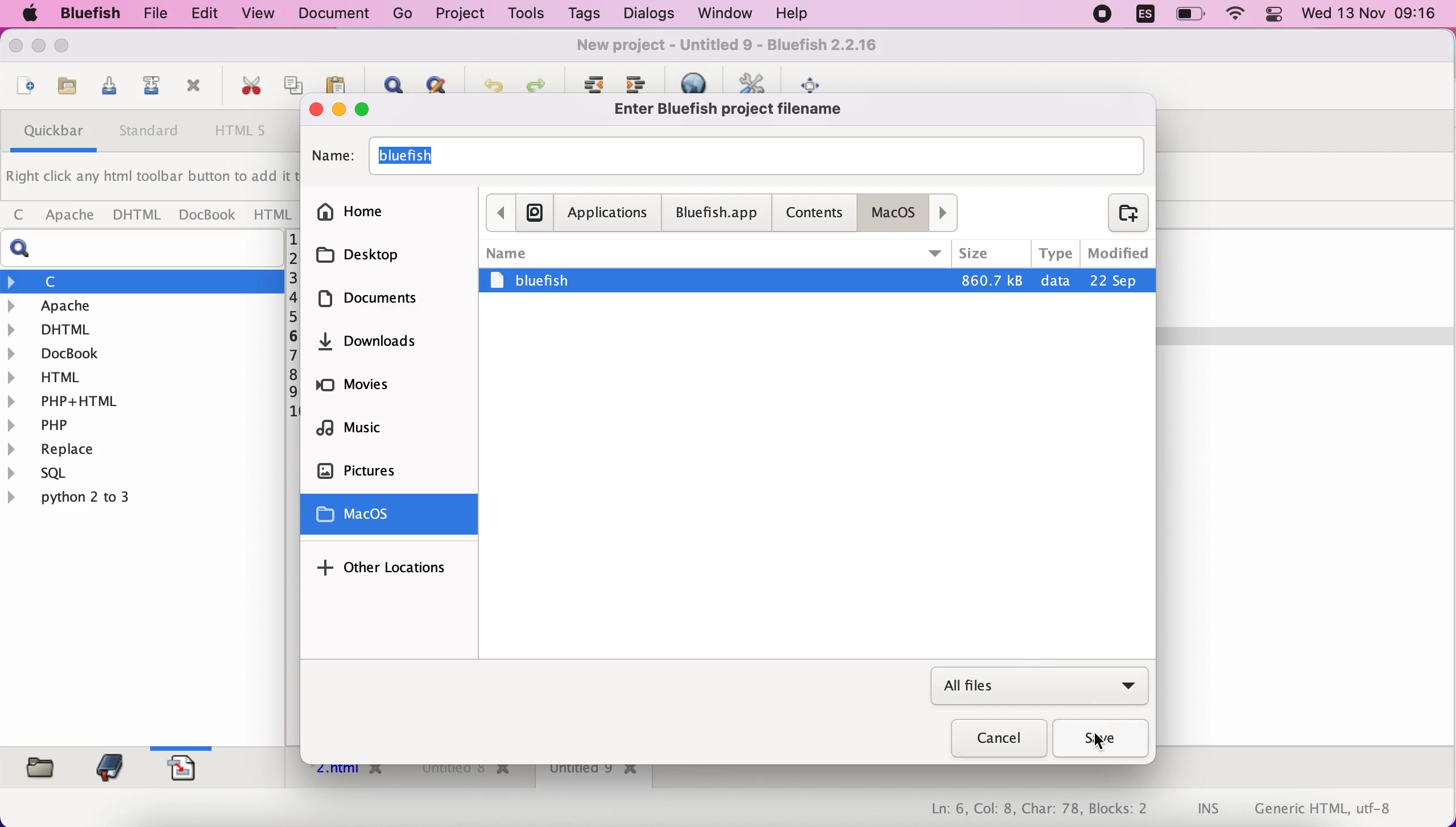 This screenshot has height=827, width=1456. What do you see at coordinates (387, 389) in the screenshot?
I see `movies` at bounding box center [387, 389].